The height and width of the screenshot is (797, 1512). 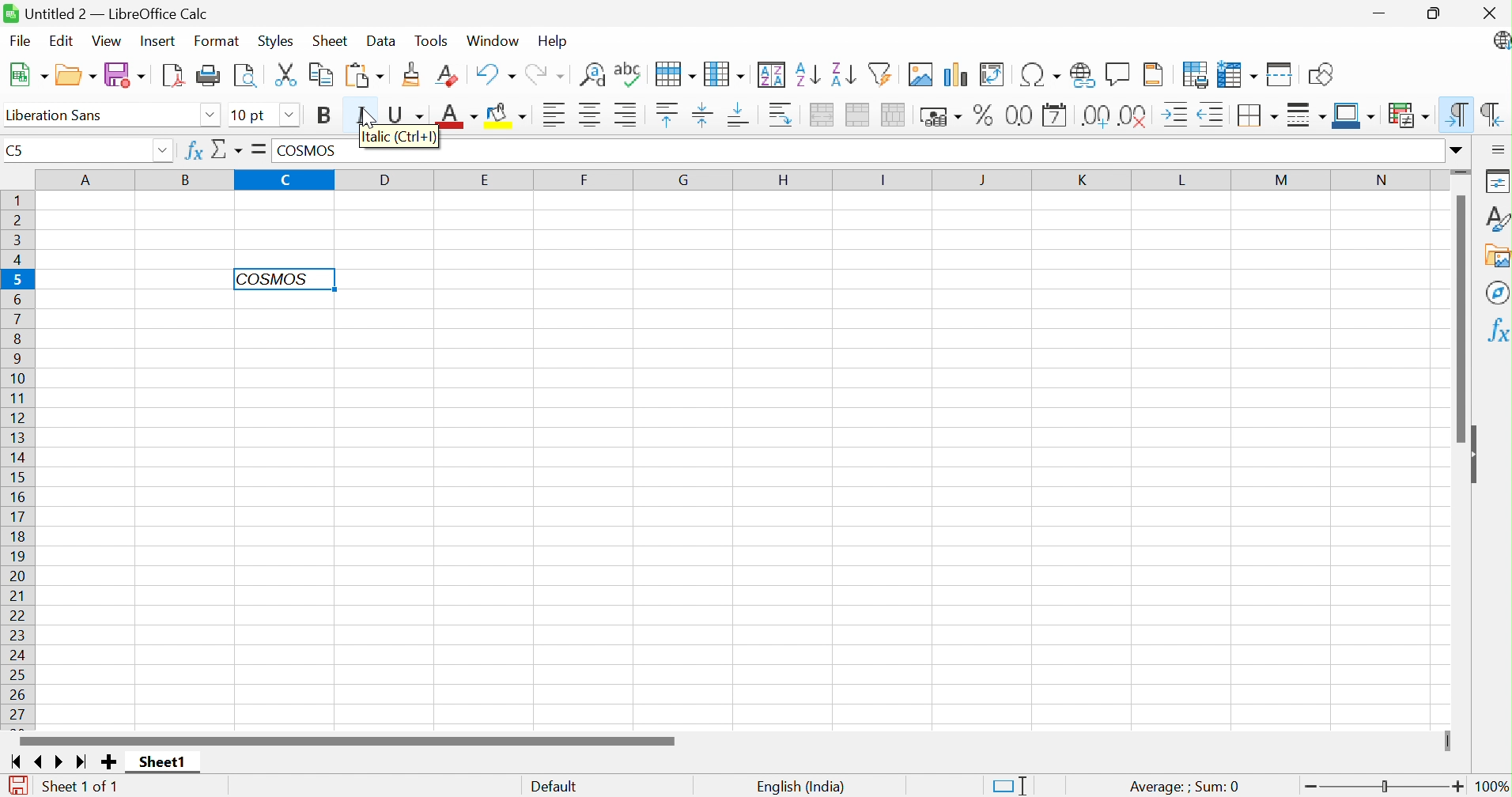 What do you see at coordinates (806, 75) in the screenshot?
I see `Sort ascending` at bounding box center [806, 75].